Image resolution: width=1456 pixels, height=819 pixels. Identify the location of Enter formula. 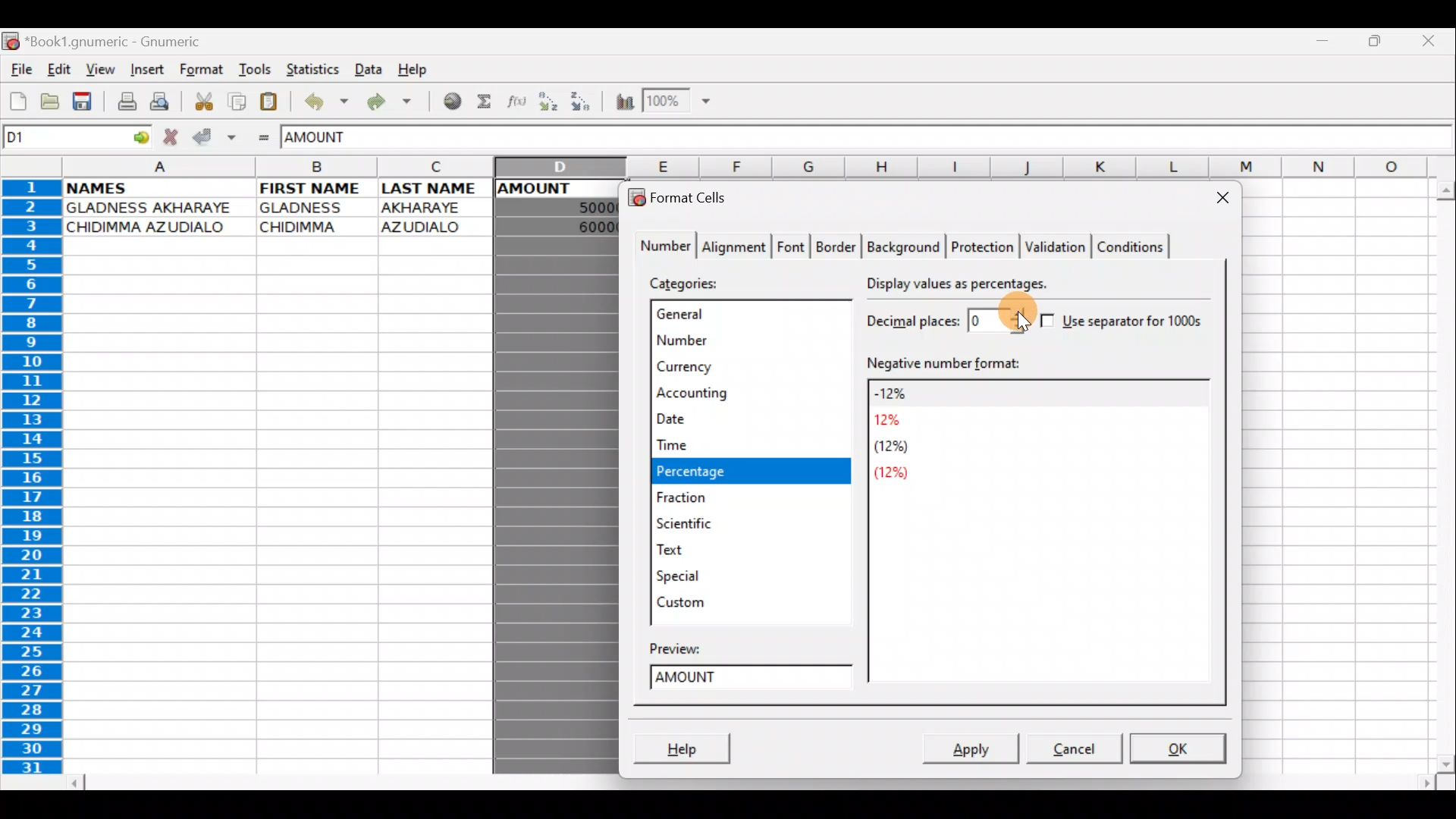
(264, 137).